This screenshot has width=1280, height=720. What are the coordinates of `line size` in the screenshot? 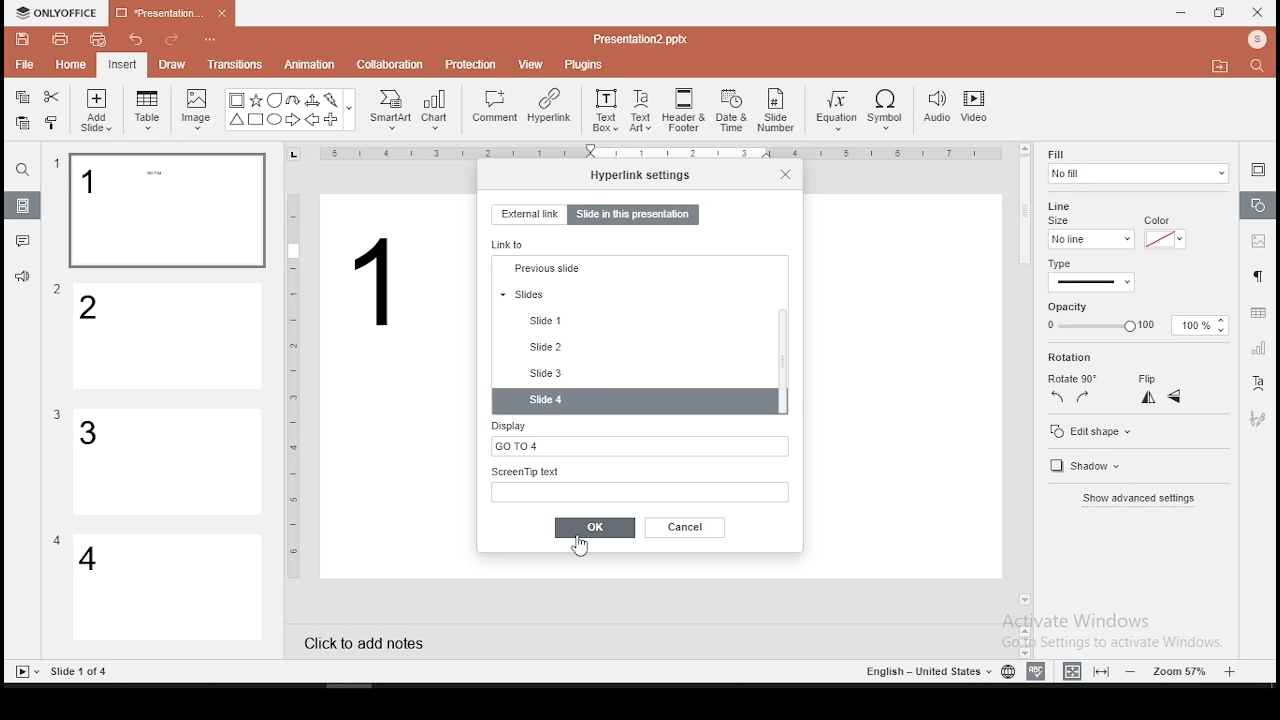 It's located at (1090, 238).